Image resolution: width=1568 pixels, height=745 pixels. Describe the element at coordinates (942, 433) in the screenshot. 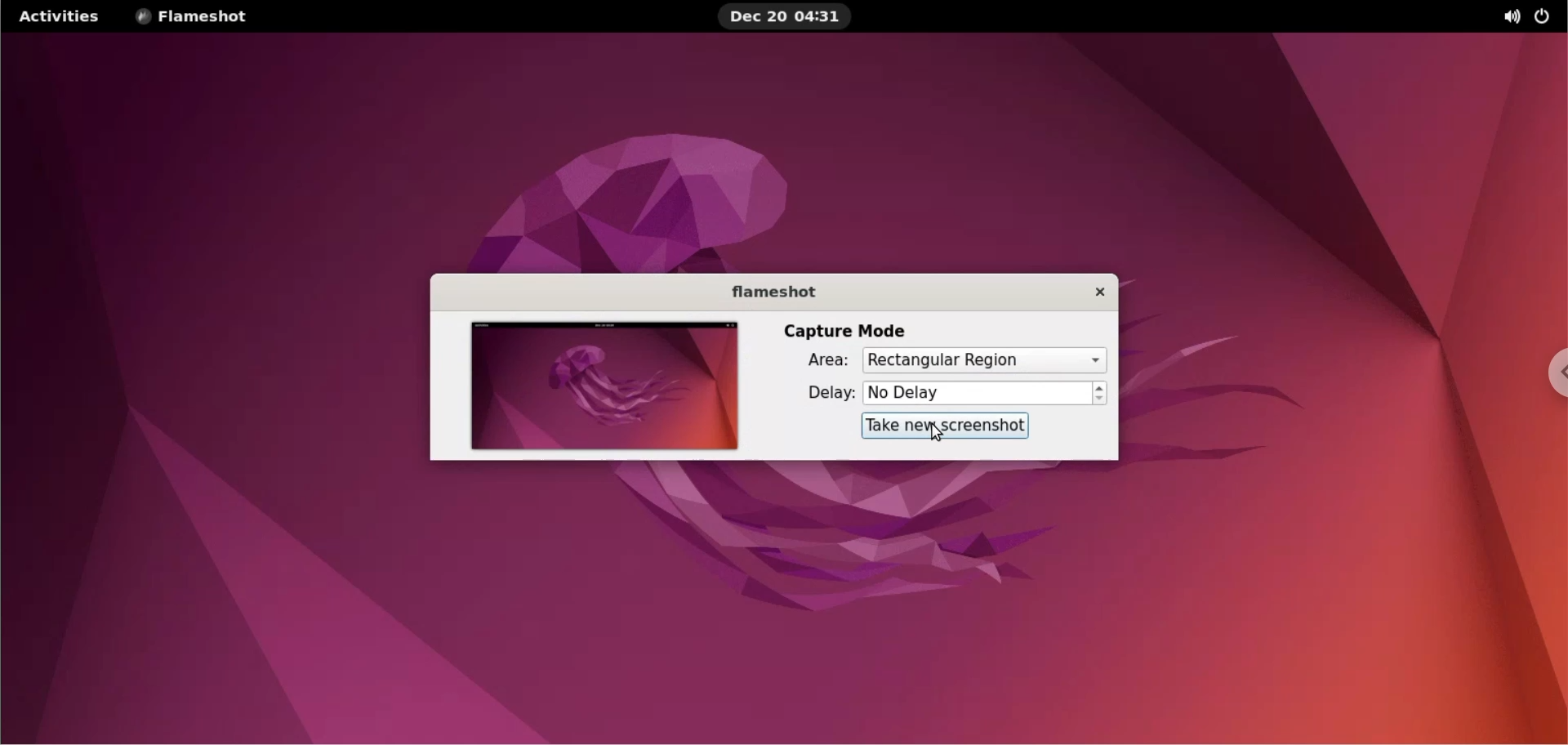

I see `cursor` at that location.